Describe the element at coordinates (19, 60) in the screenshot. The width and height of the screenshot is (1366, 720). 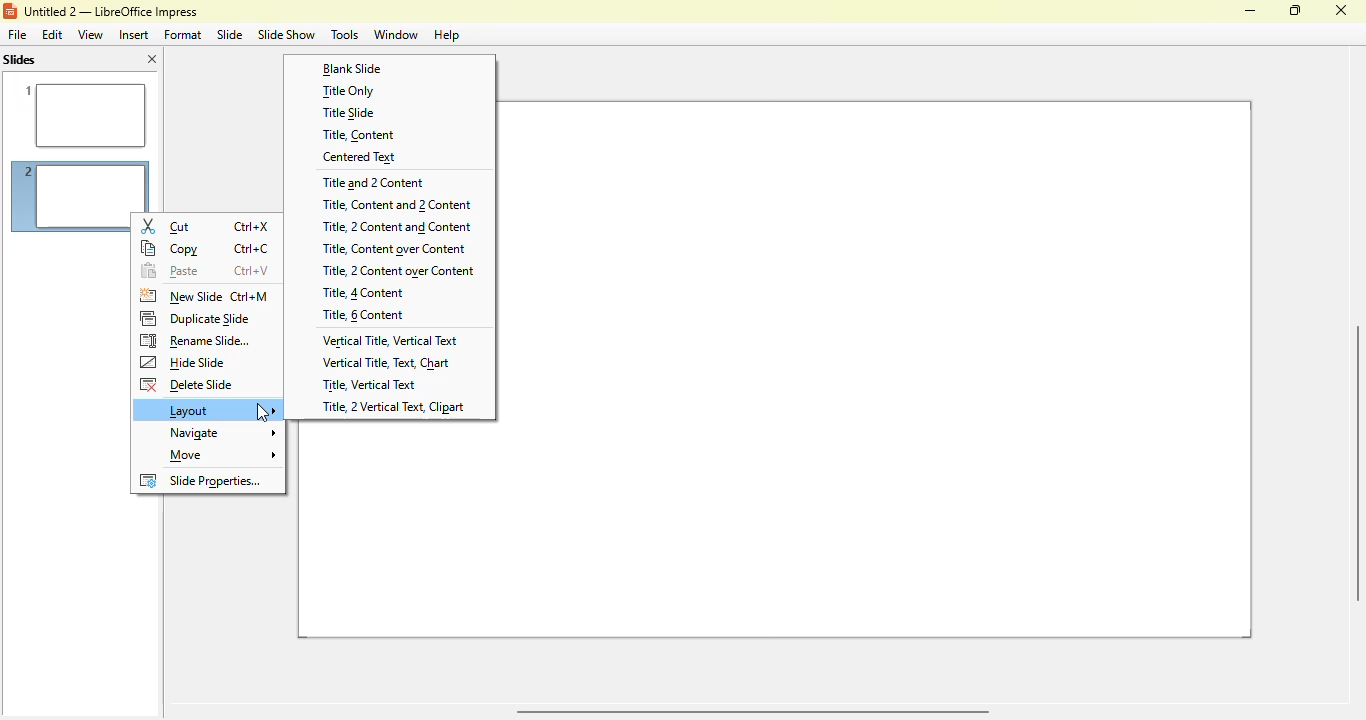
I see `slides` at that location.